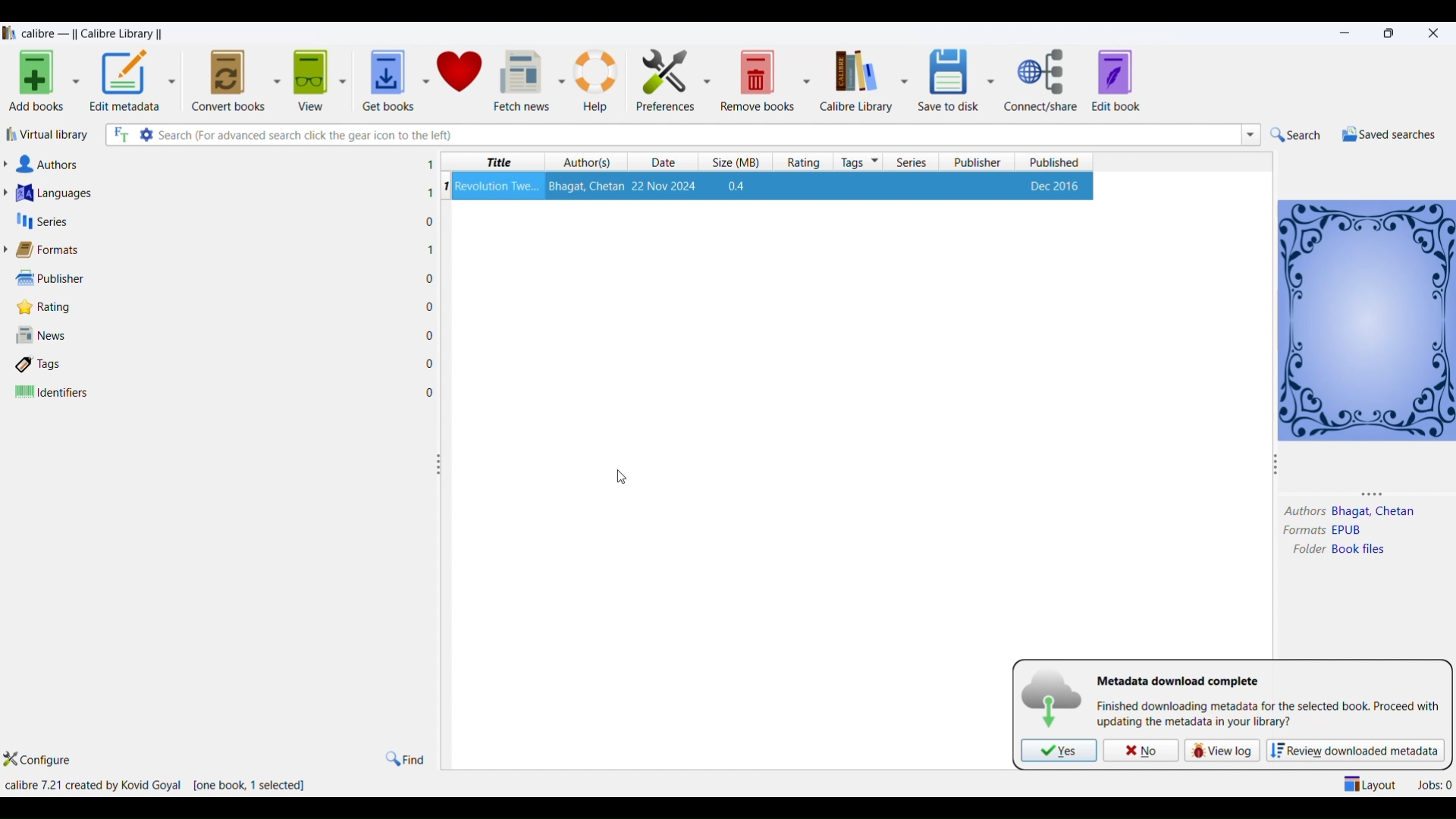 The width and height of the screenshot is (1456, 819). What do you see at coordinates (561, 80) in the screenshot?
I see `fetch news options dropdown button` at bounding box center [561, 80].